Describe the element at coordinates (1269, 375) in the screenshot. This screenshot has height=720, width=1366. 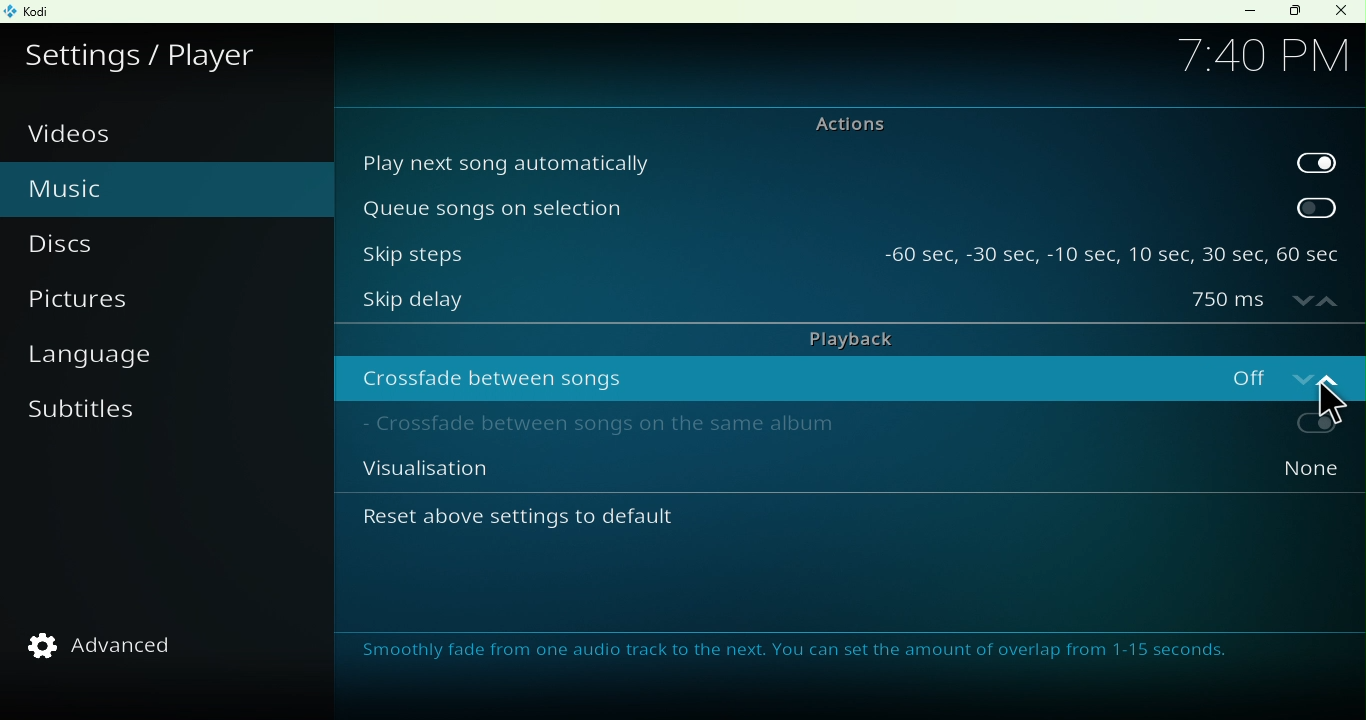
I see `on/off toggle` at that location.